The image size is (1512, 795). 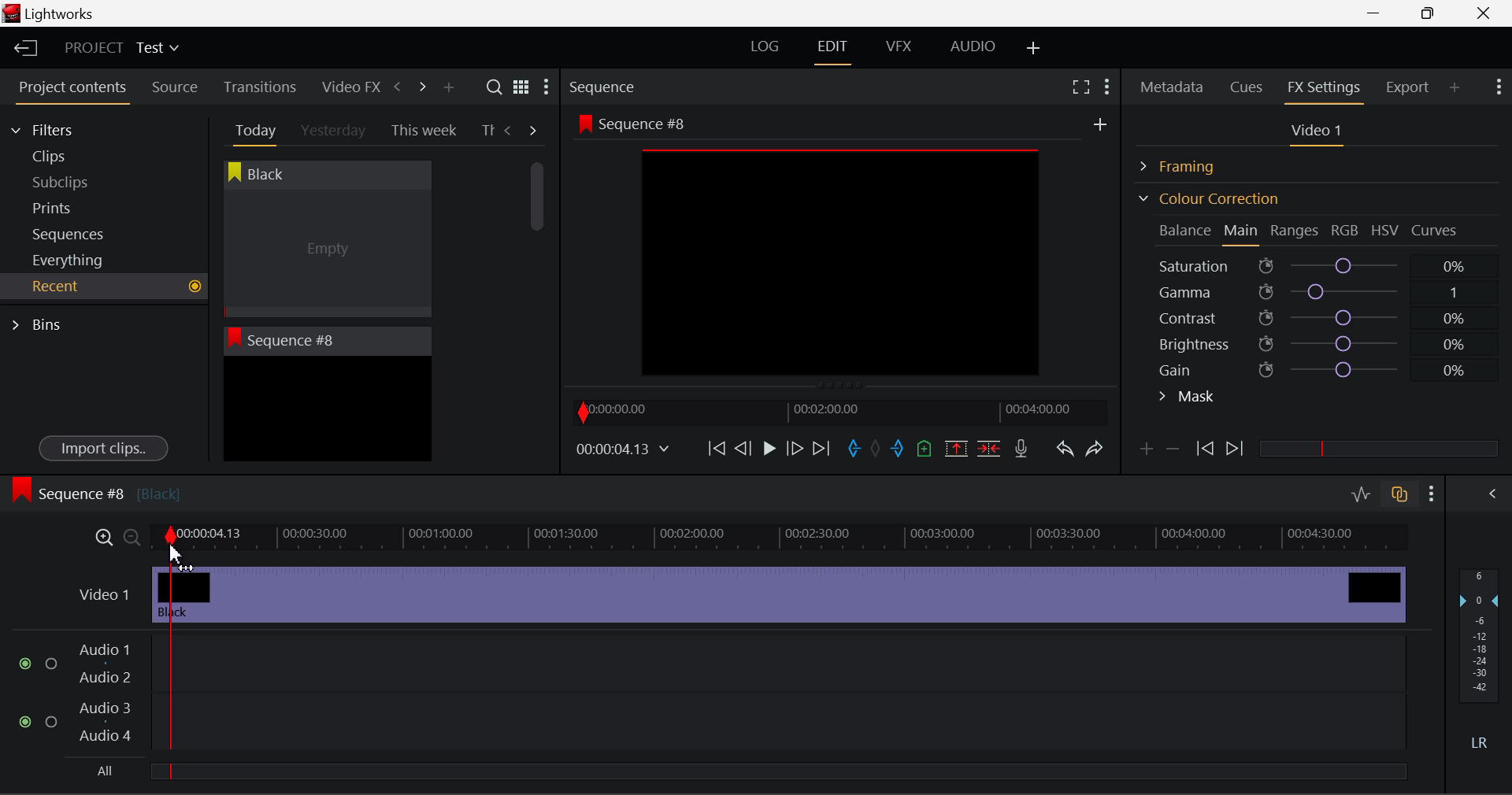 What do you see at coordinates (1436, 230) in the screenshot?
I see `Curves` at bounding box center [1436, 230].